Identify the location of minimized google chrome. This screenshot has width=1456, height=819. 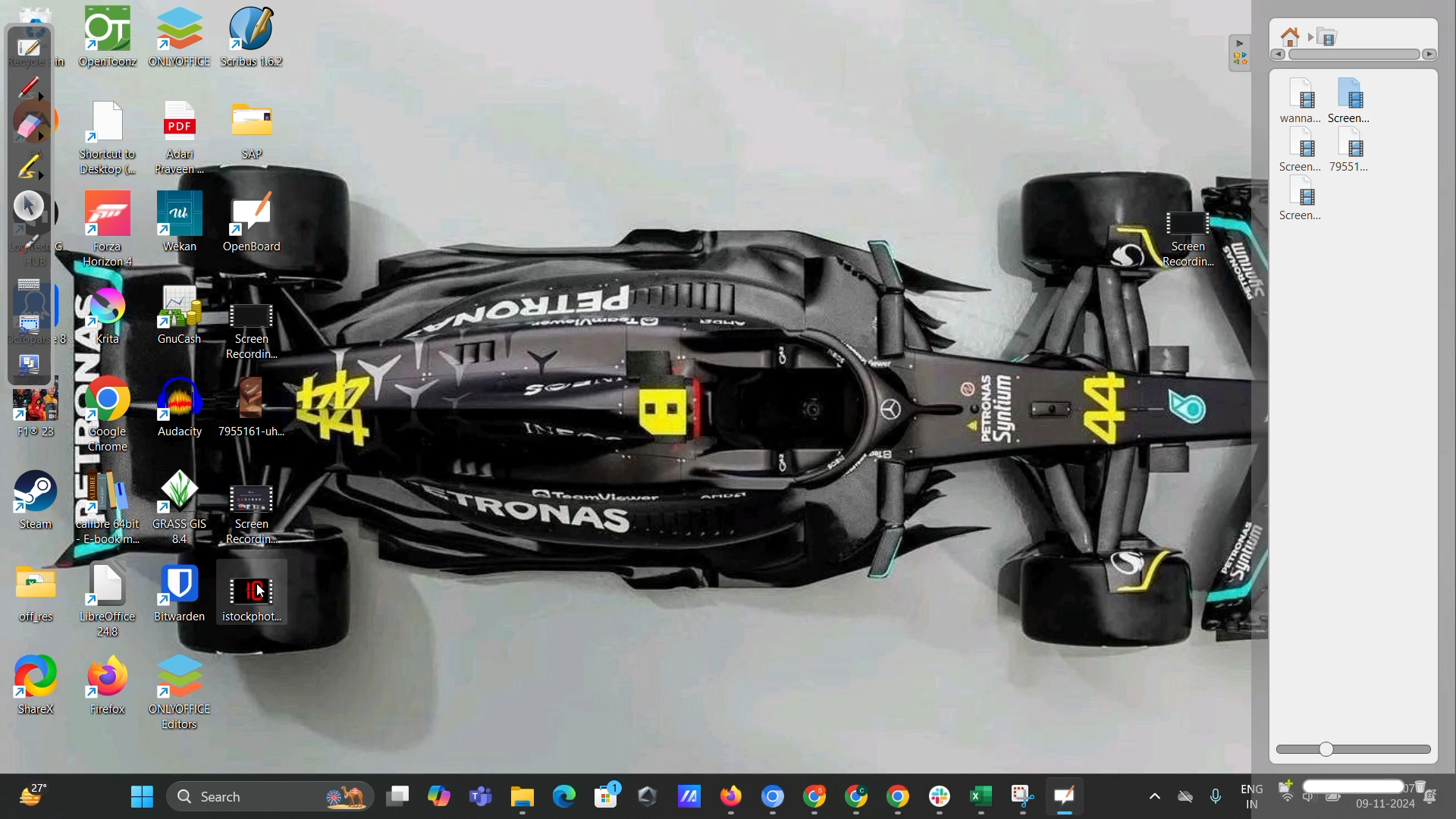
(777, 795).